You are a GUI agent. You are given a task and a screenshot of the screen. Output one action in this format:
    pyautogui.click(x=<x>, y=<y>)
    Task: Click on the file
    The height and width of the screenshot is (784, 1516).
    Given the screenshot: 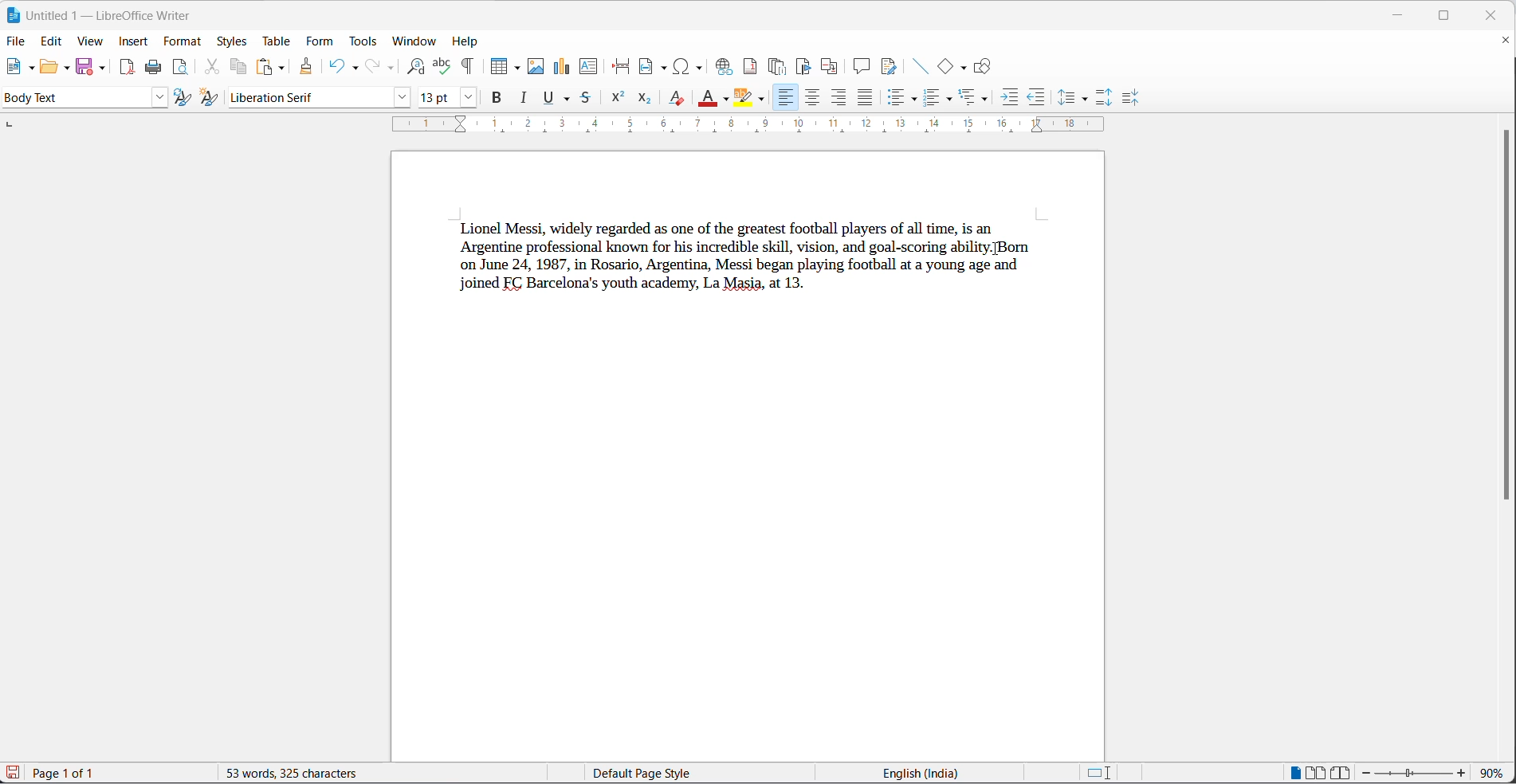 What is the action you would take?
    pyautogui.click(x=17, y=42)
    